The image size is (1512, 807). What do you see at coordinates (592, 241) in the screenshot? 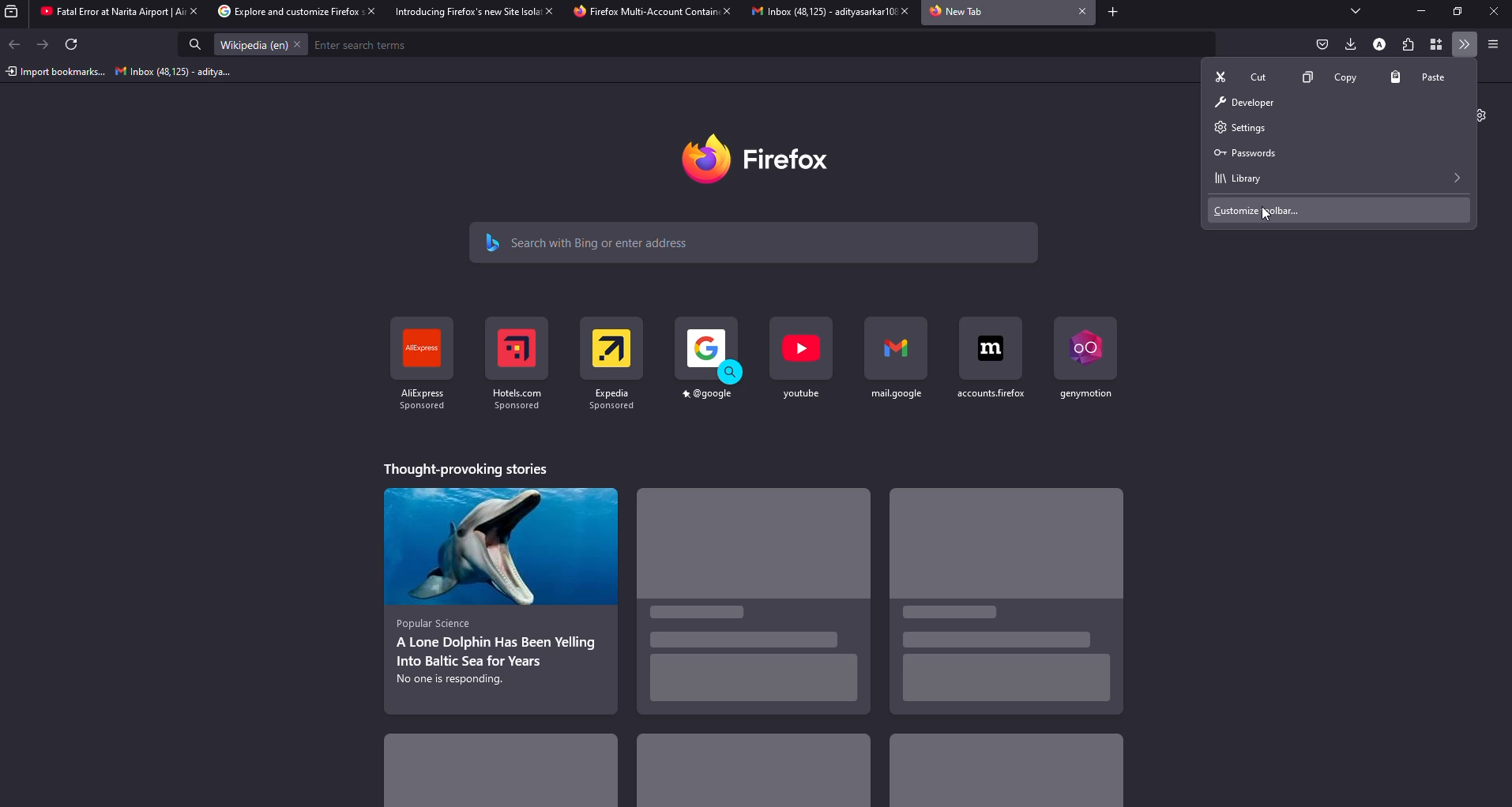
I see `search` at bounding box center [592, 241].